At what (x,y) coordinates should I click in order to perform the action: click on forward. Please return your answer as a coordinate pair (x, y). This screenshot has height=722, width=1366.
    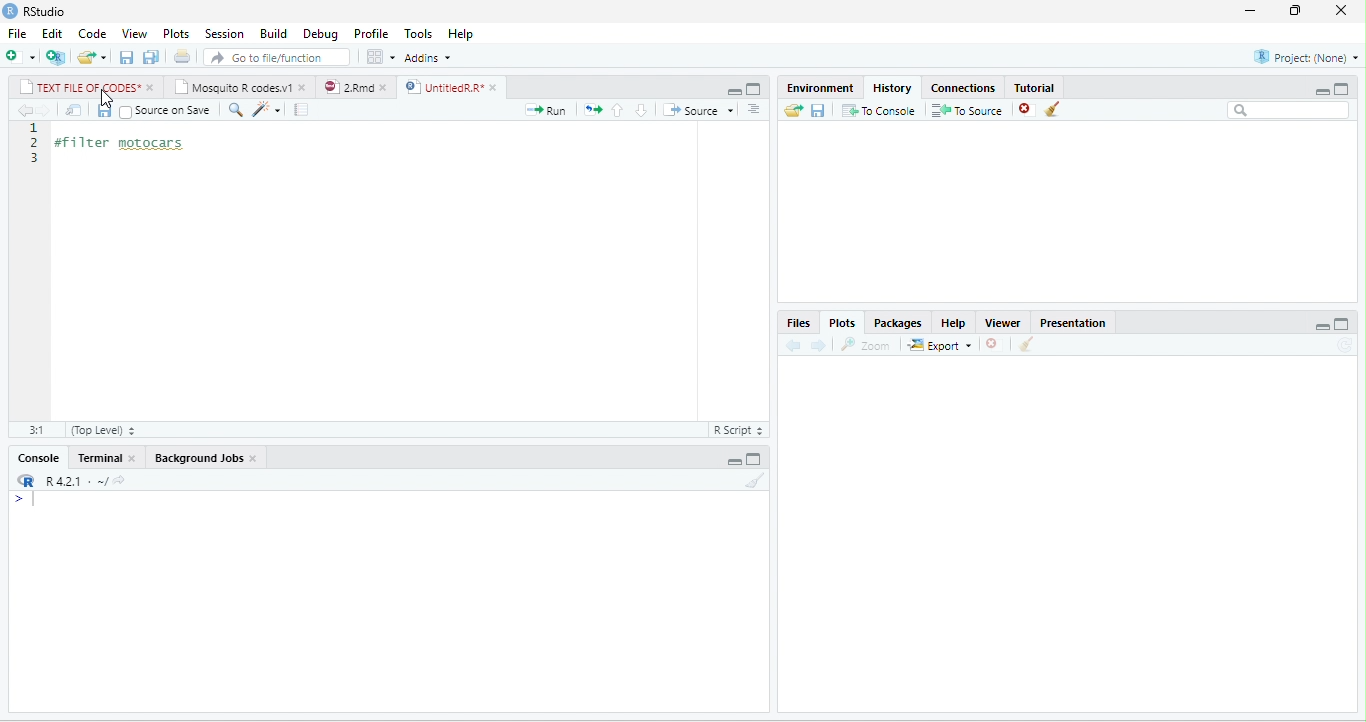
    Looking at the image, I should click on (818, 346).